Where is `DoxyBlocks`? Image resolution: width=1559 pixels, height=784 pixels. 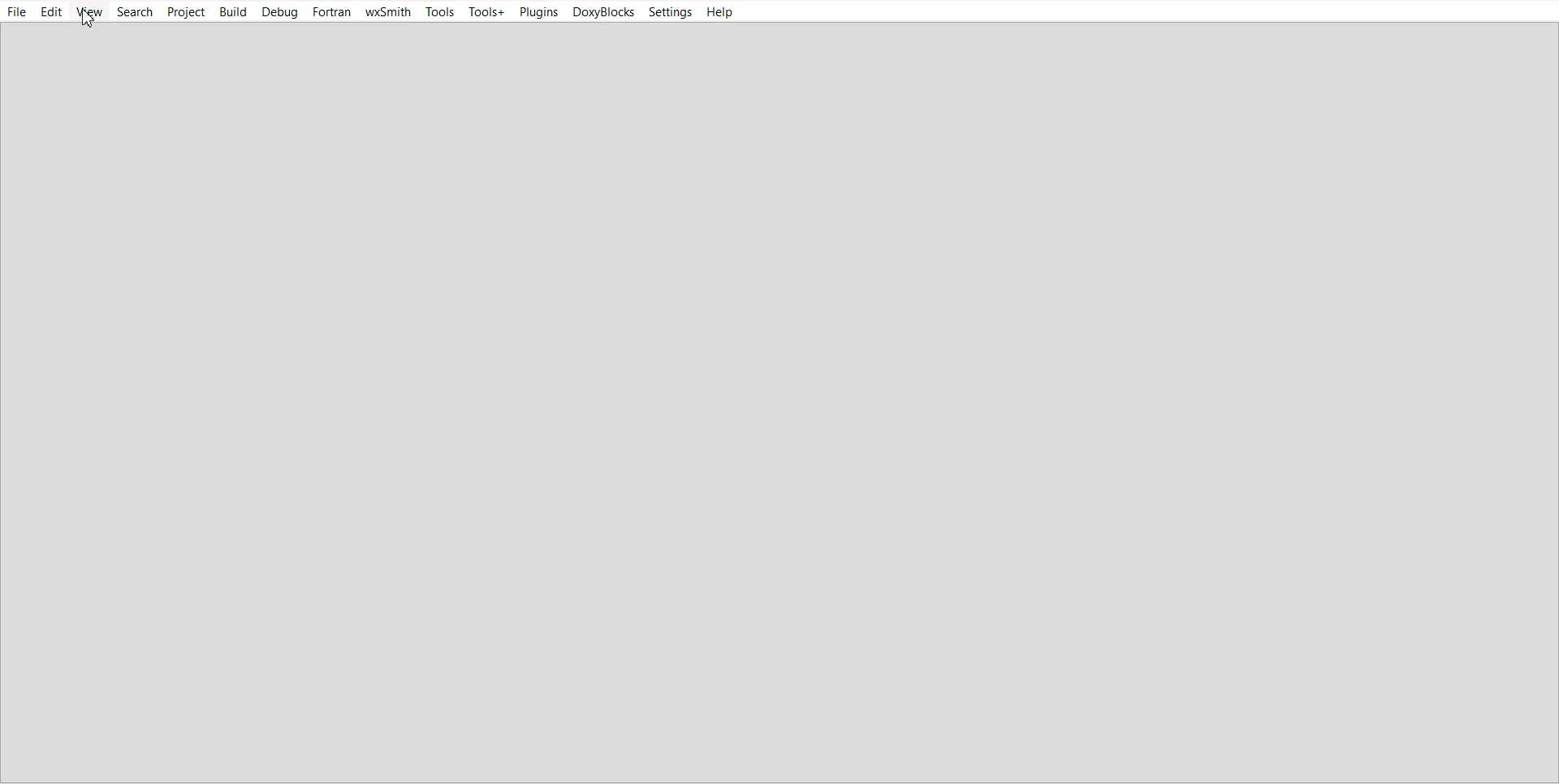
DoxyBlocks is located at coordinates (604, 13).